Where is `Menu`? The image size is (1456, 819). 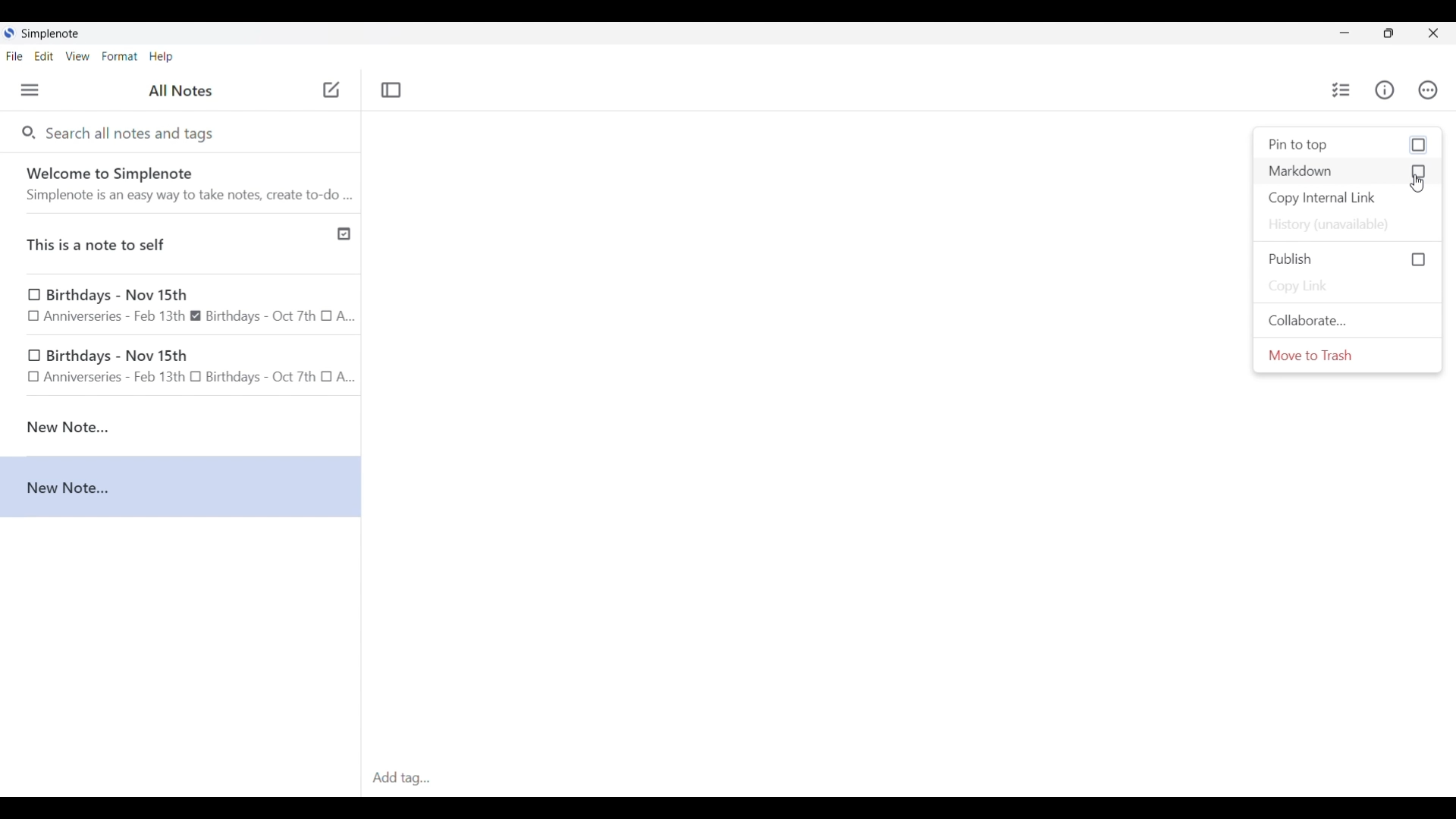
Menu is located at coordinates (30, 89).